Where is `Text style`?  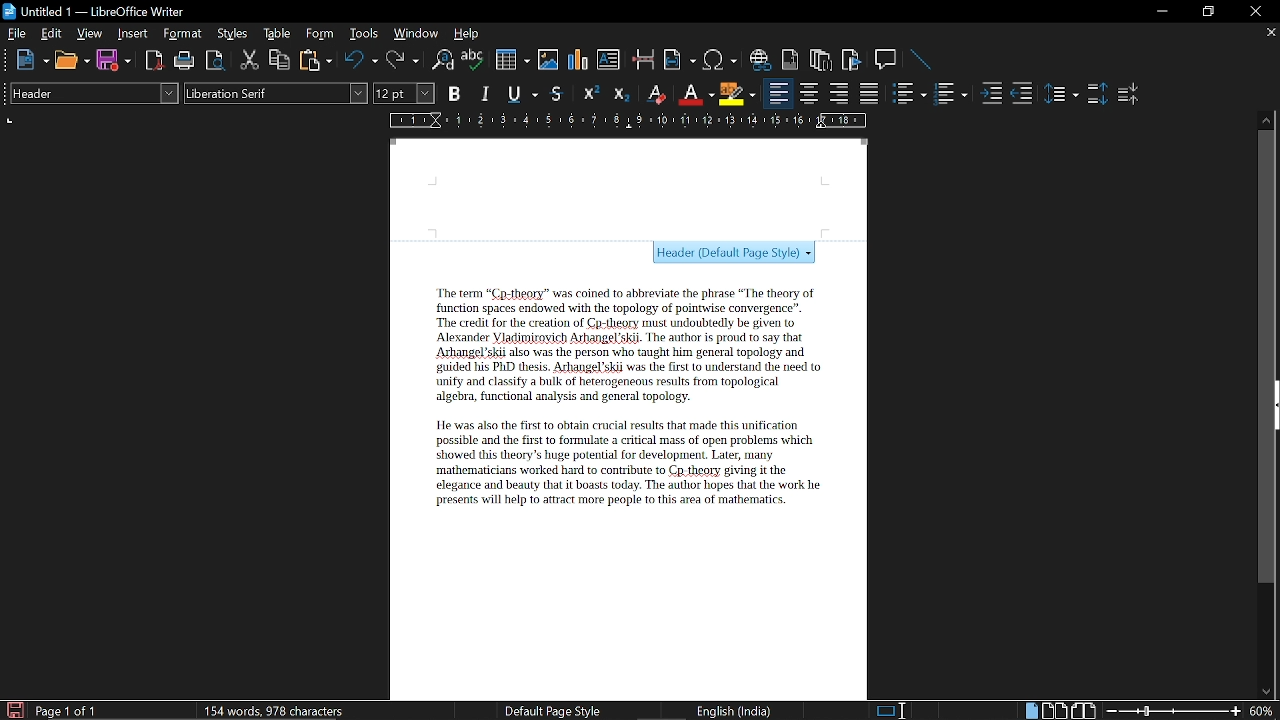
Text style is located at coordinates (277, 93).